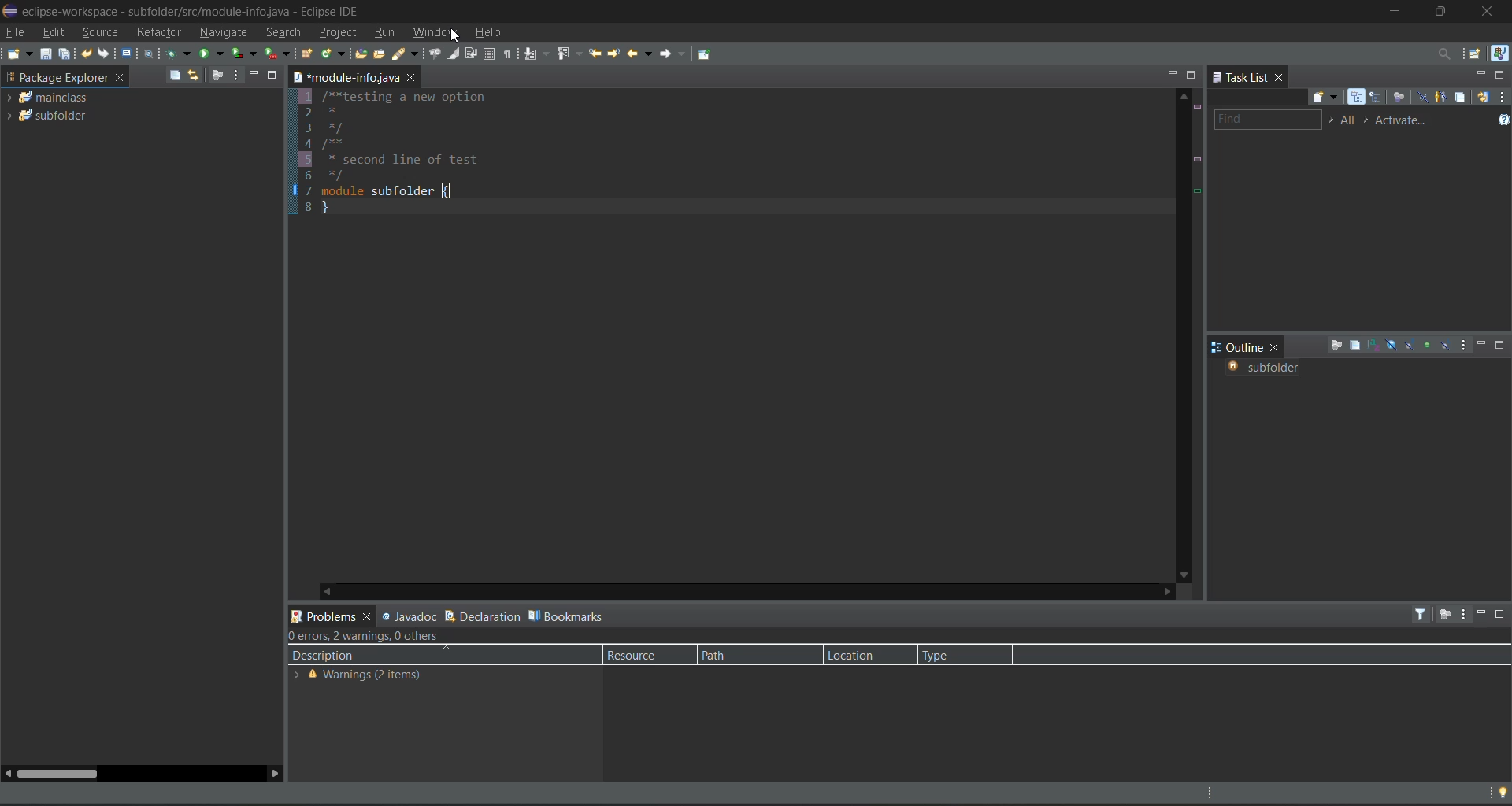 The width and height of the screenshot is (1512, 806). Describe the element at coordinates (1193, 75) in the screenshot. I see `maximize` at that location.